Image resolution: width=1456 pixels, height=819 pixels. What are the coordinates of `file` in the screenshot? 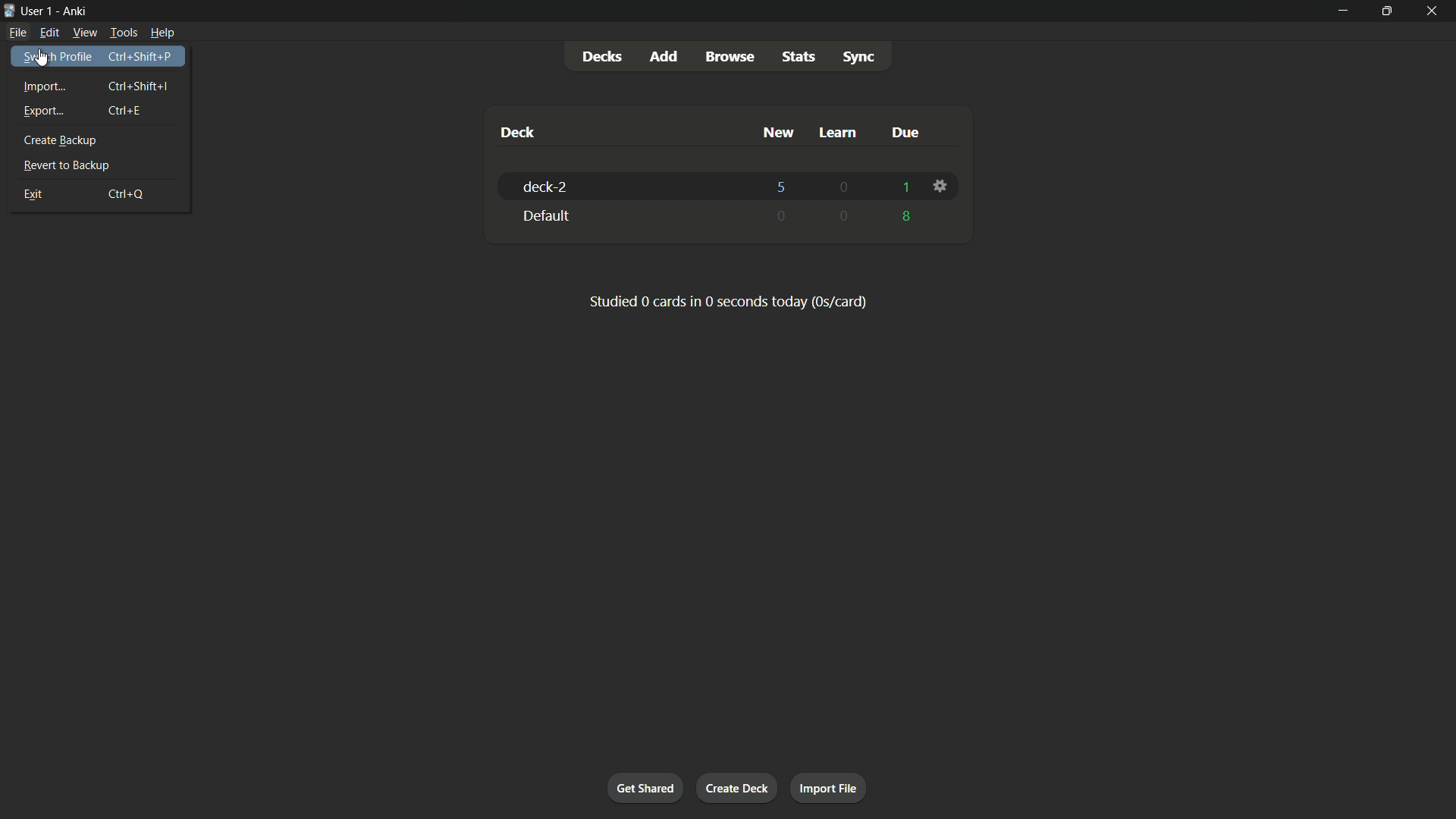 It's located at (20, 33).